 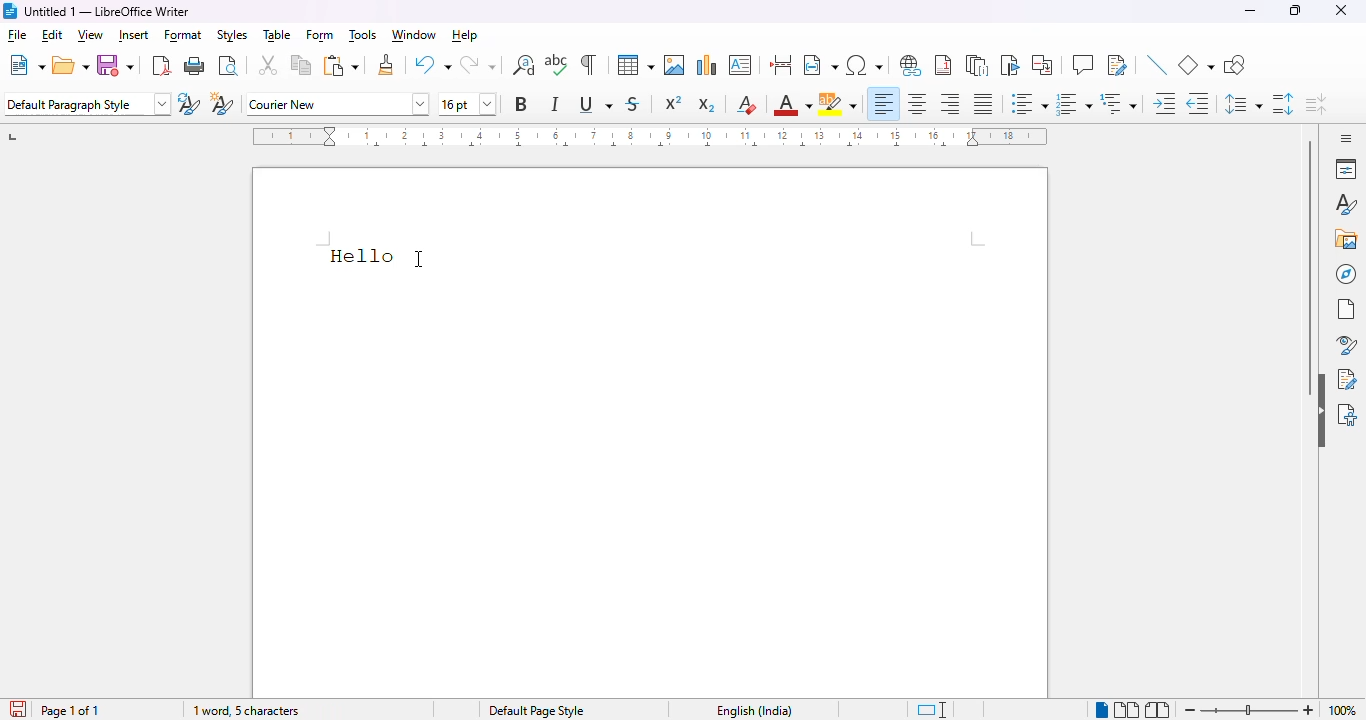 What do you see at coordinates (1165, 104) in the screenshot?
I see `increase indent` at bounding box center [1165, 104].